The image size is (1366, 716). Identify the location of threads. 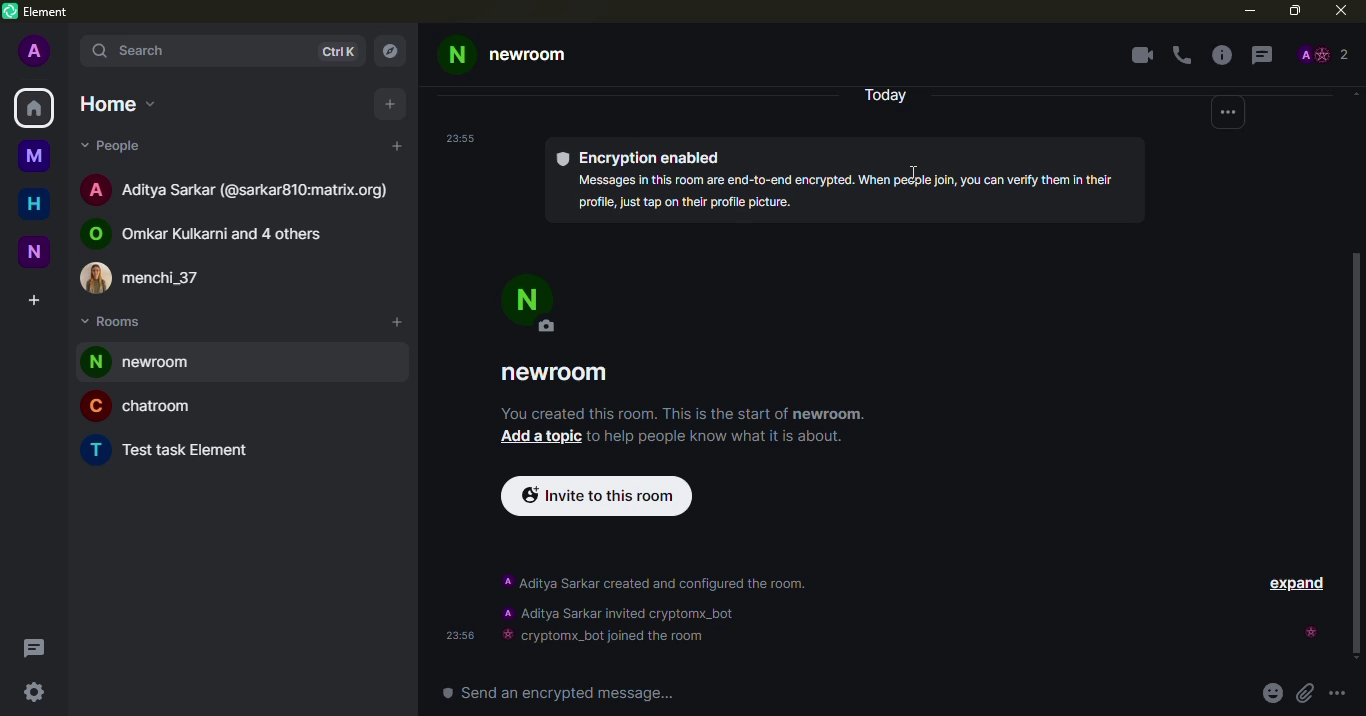
(34, 647).